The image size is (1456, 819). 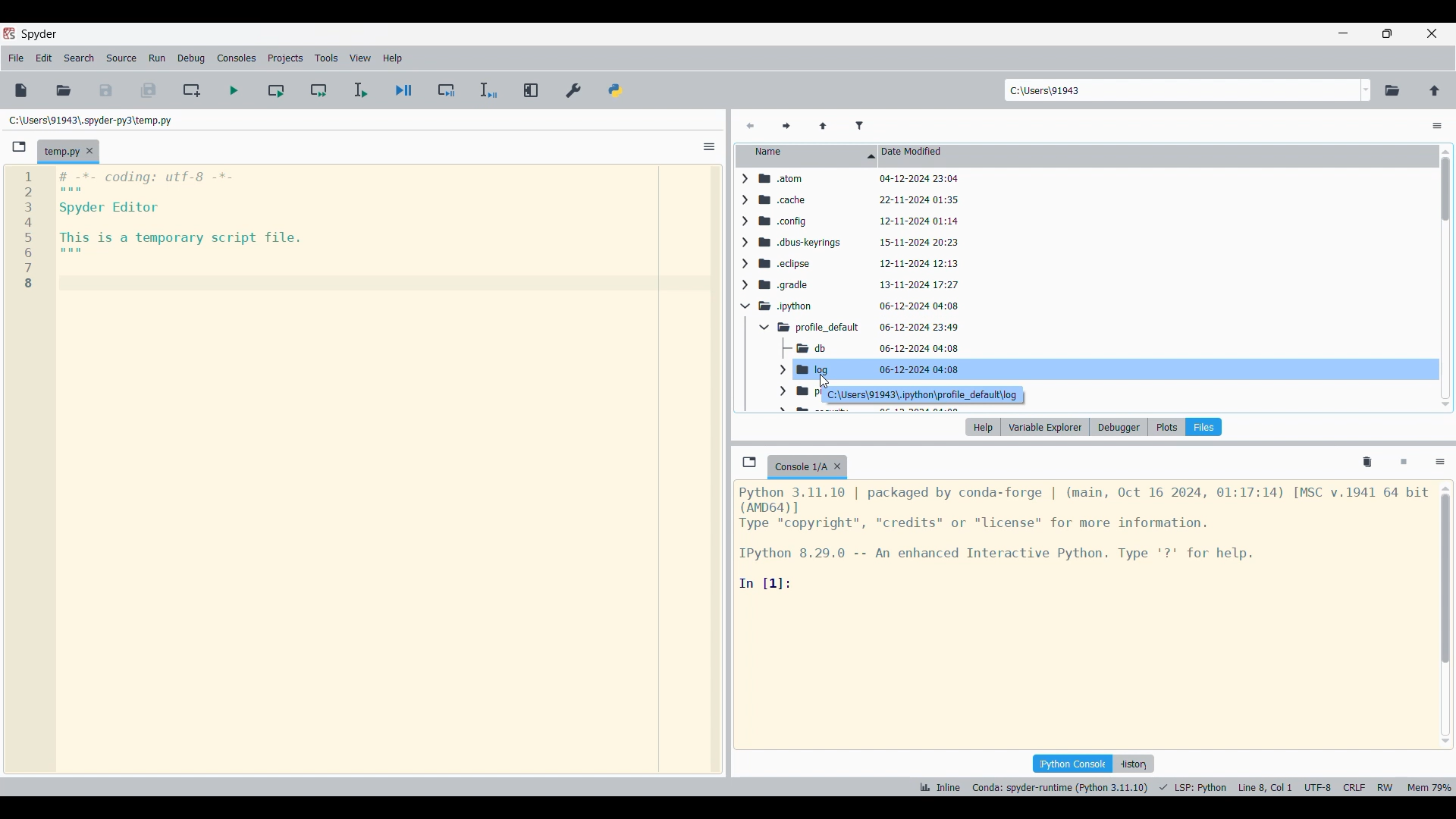 I want to click on Current tab, so click(x=799, y=467).